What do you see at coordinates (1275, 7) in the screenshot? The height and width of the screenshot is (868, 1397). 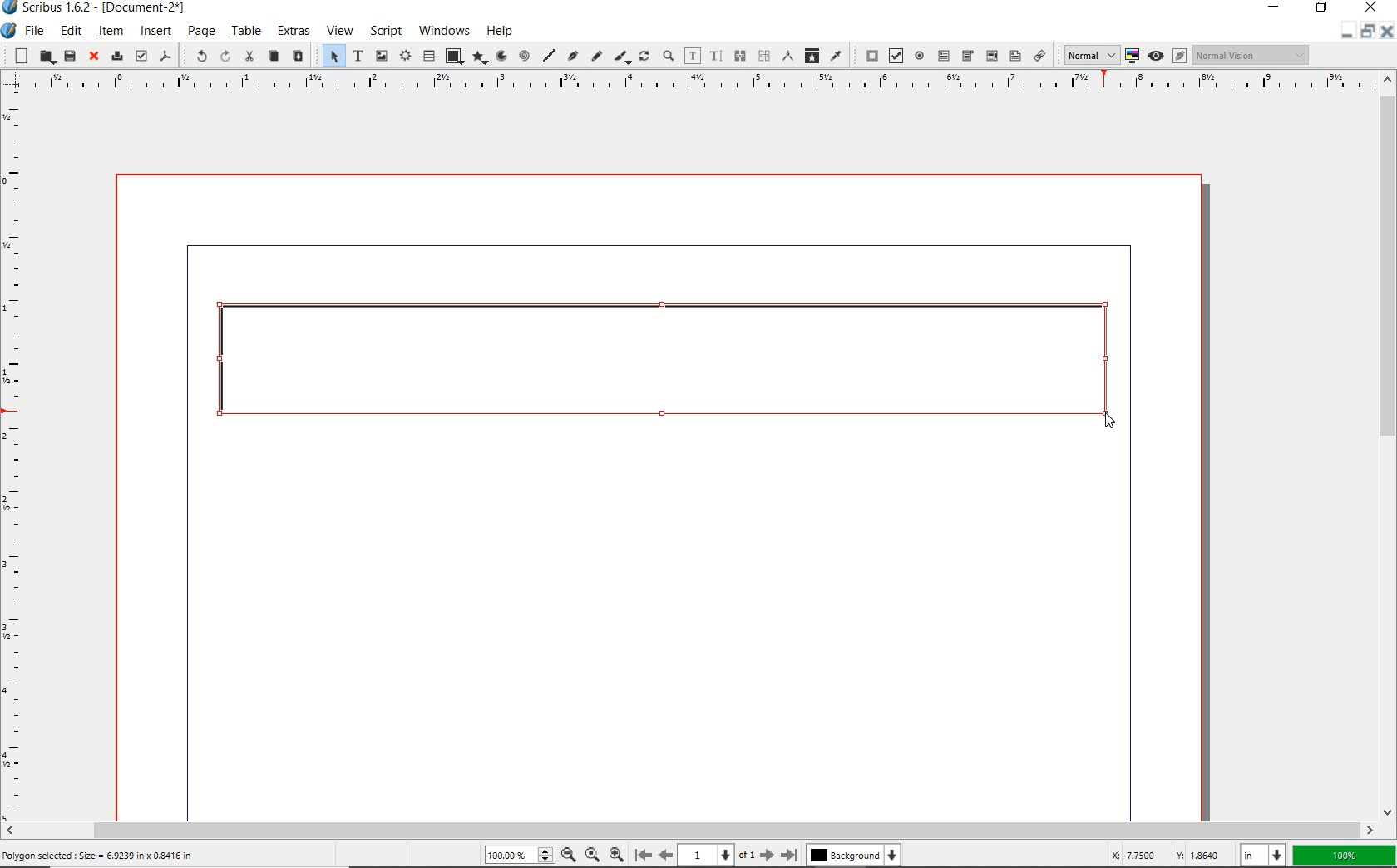 I see `minimize` at bounding box center [1275, 7].